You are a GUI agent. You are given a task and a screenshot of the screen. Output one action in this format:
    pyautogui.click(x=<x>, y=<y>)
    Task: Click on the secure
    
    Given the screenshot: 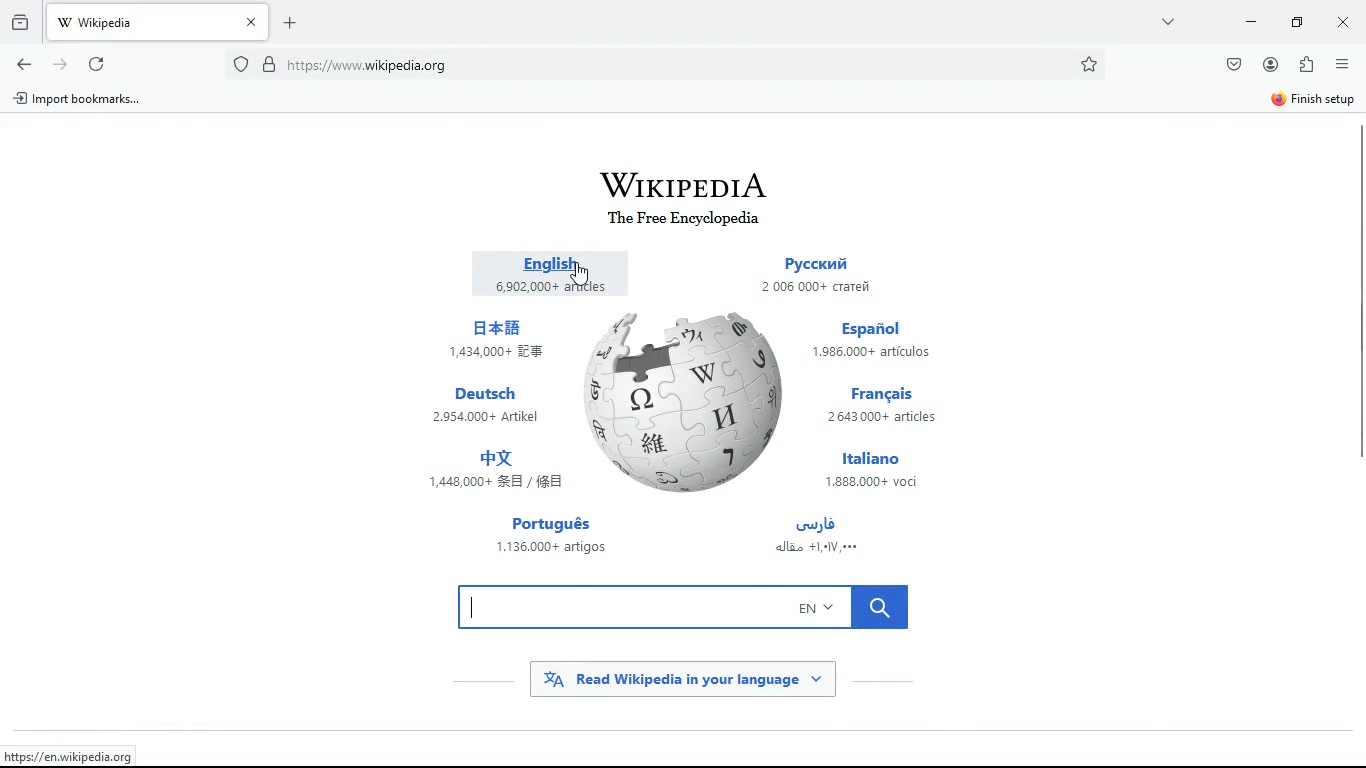 What is the action you would take?
    pyautogui.click(x=272, y=62)
    